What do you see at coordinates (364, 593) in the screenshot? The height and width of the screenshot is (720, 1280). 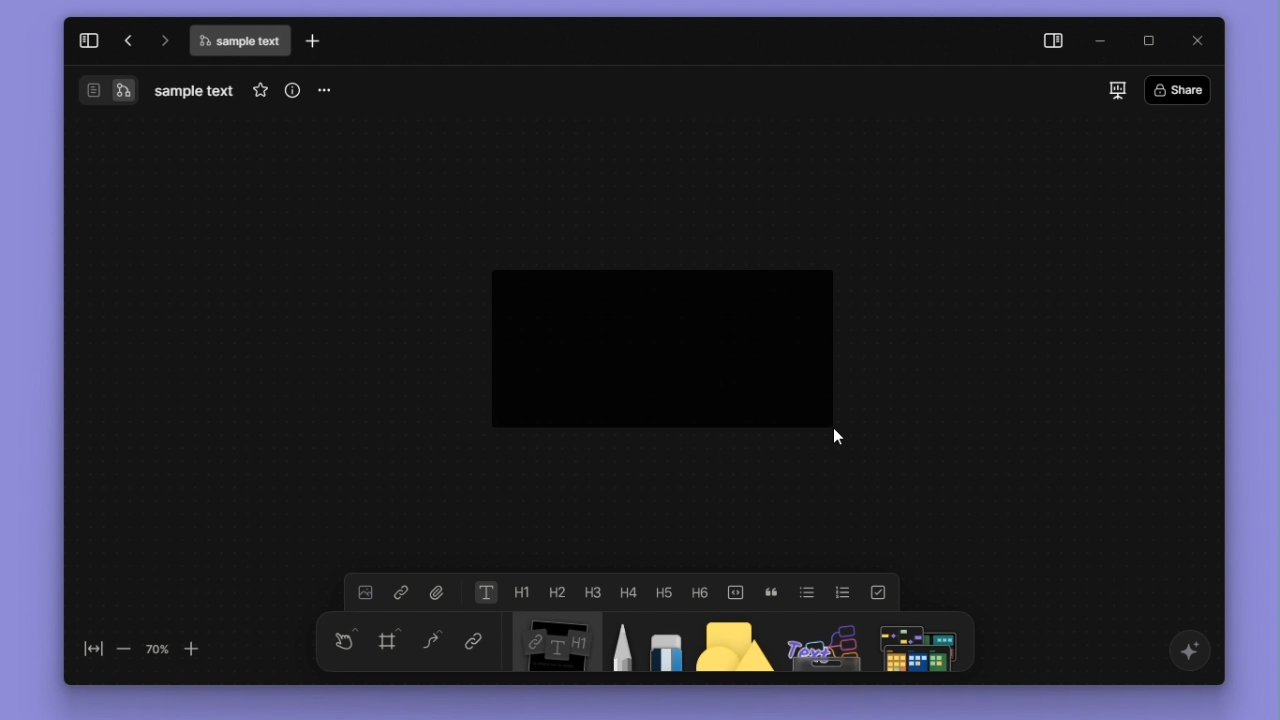 I see `image` at bounding box center [364, 593].